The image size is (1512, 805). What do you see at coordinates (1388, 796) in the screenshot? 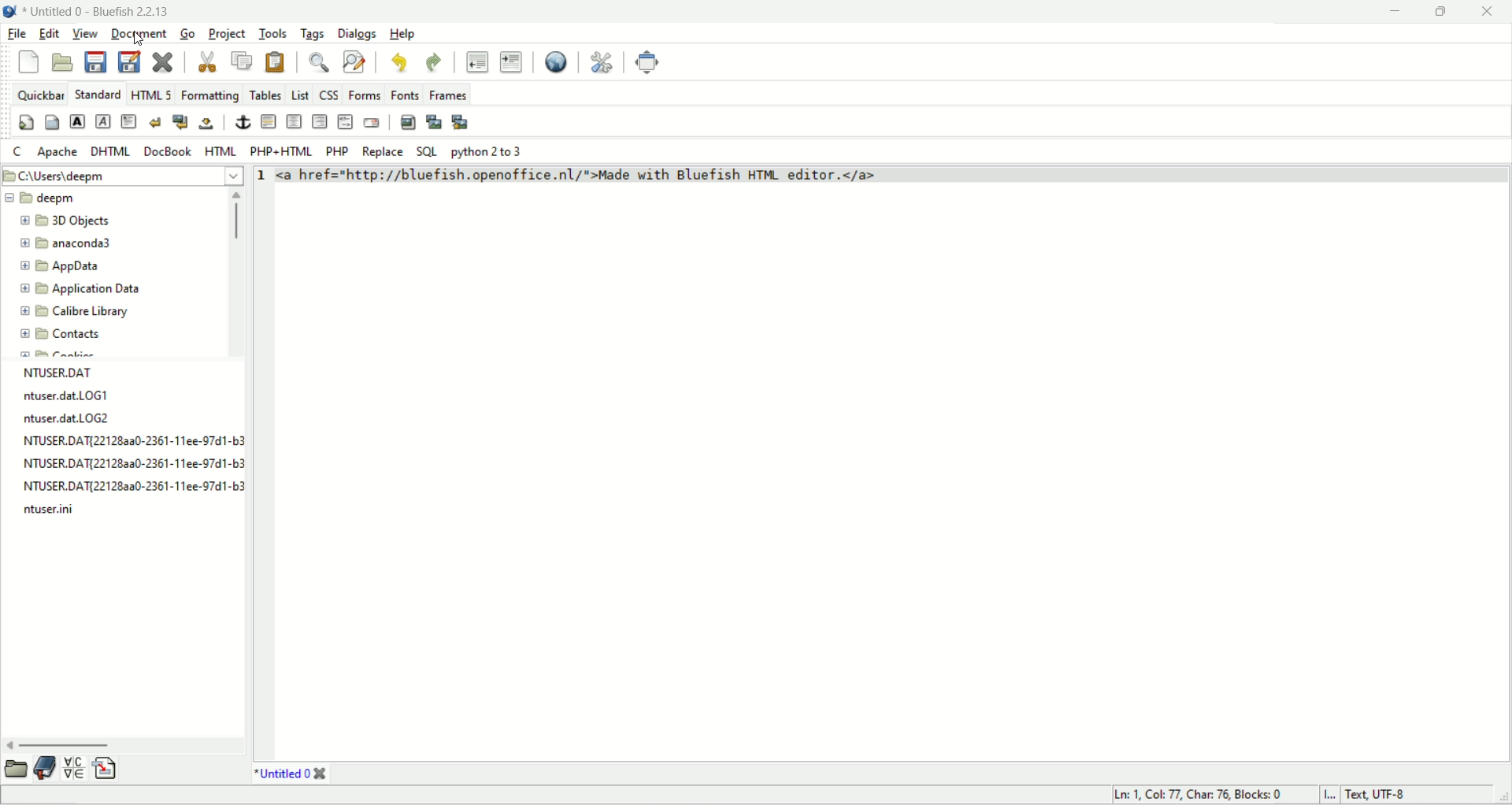
I see `text, UTF-8` at bounding box center [1388, 796].